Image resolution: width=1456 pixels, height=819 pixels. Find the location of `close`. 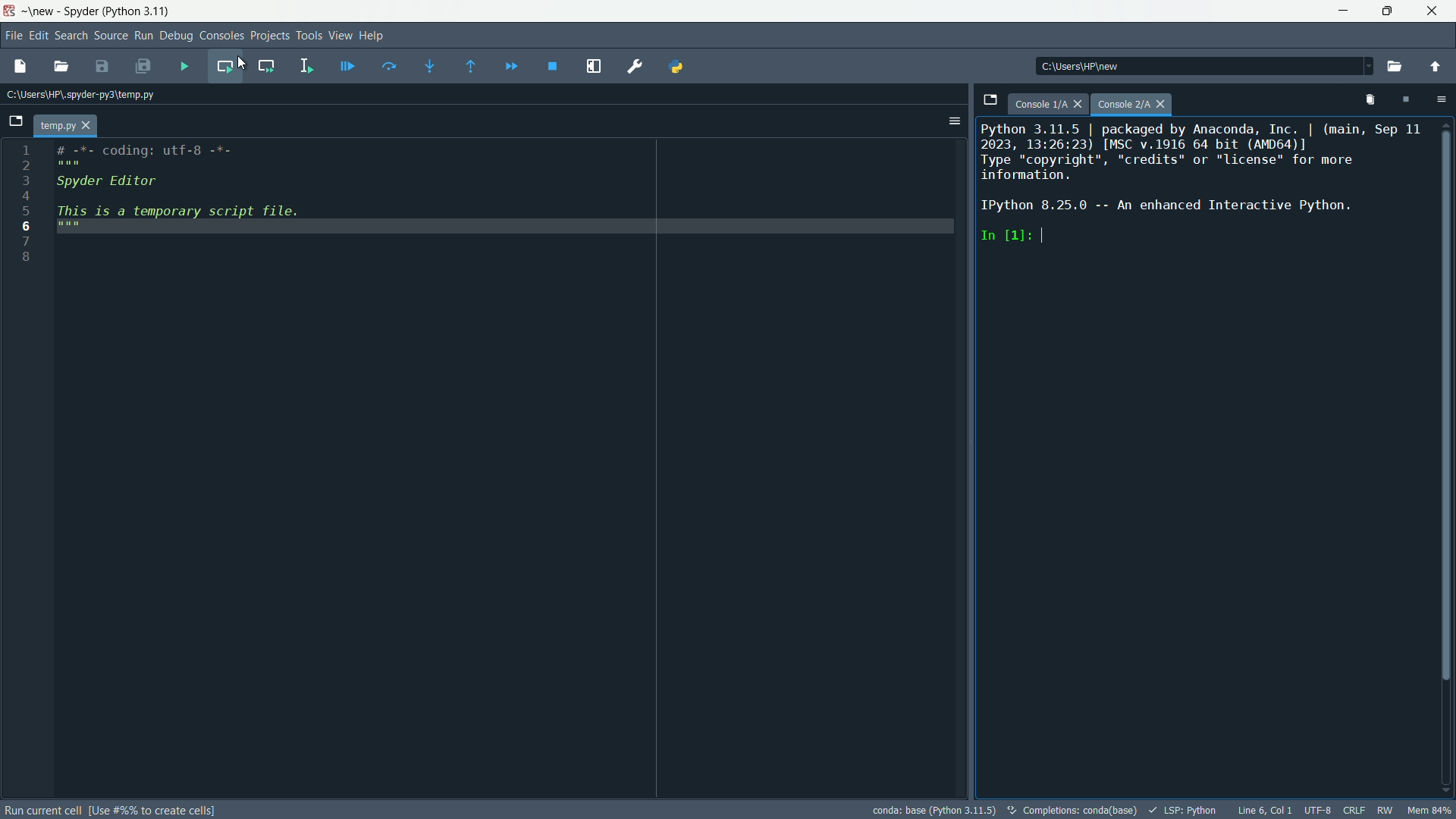

close is located at coordinates (1432, 11).